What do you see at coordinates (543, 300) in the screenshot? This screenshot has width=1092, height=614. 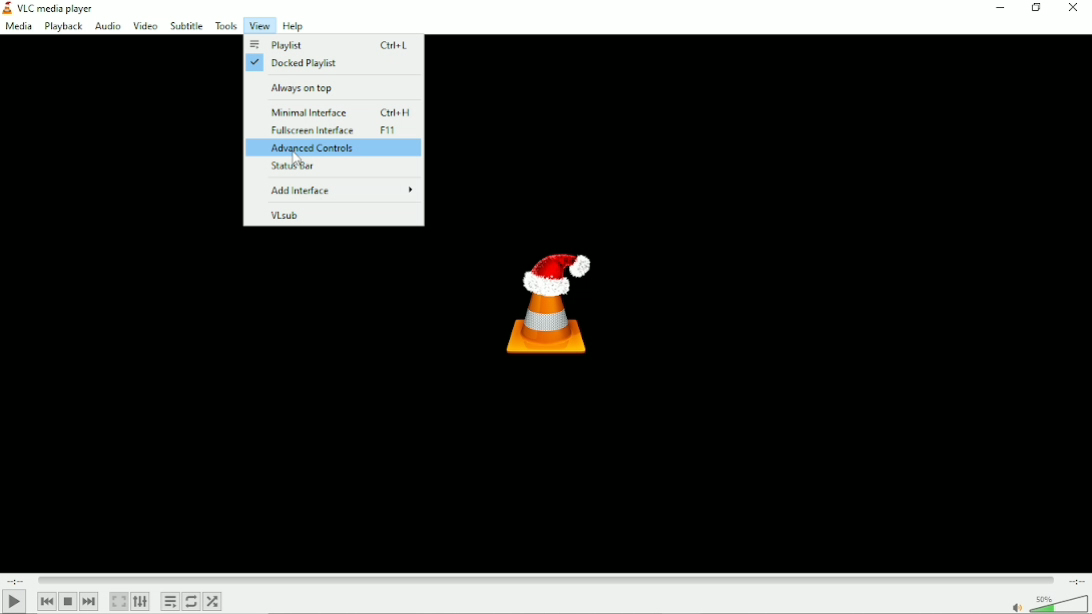 I see `vlc Logo` at bounding box center [543, 300].